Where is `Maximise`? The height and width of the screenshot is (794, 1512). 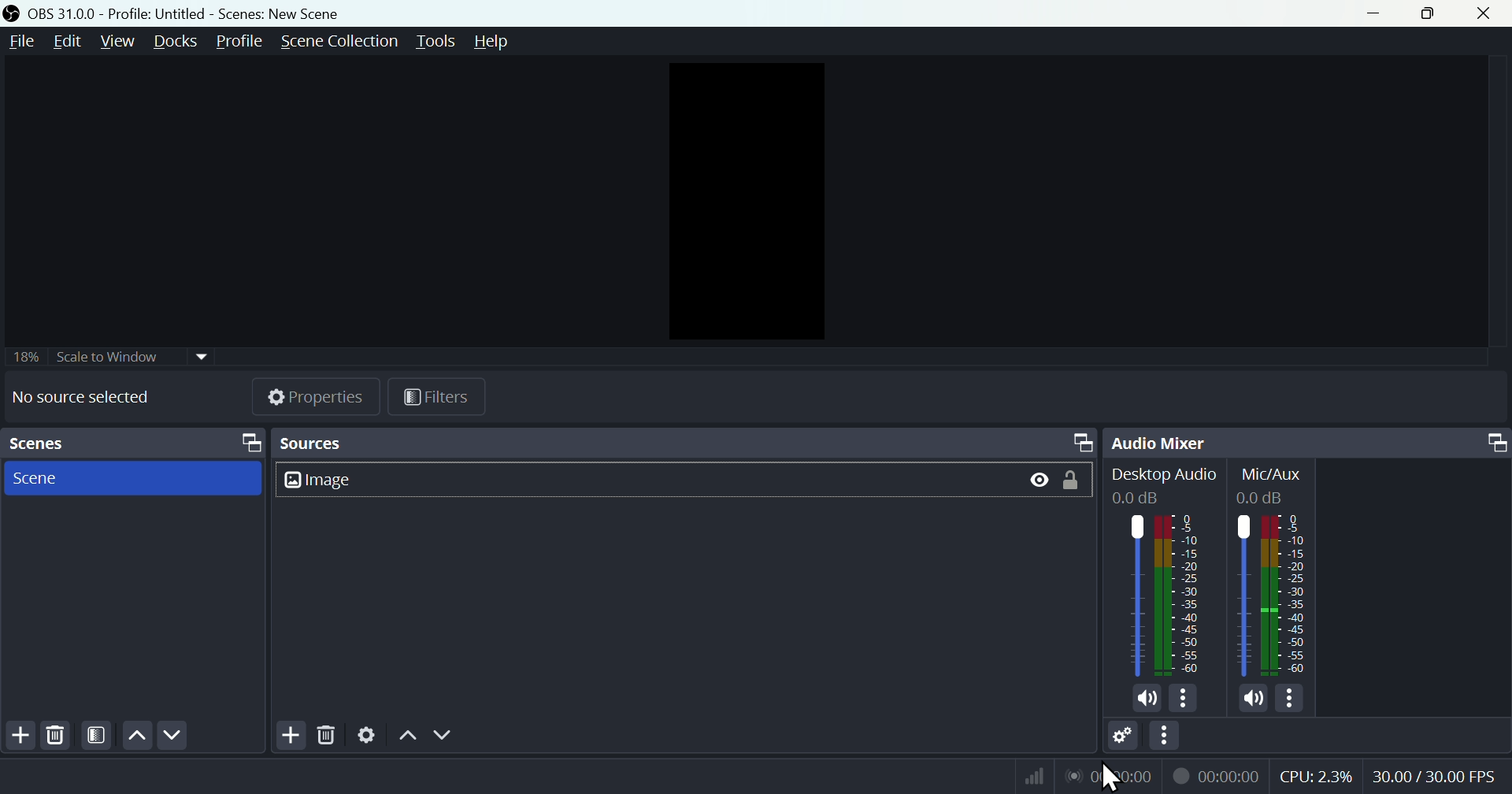
Maximise is located at coordinates (1434, 13).